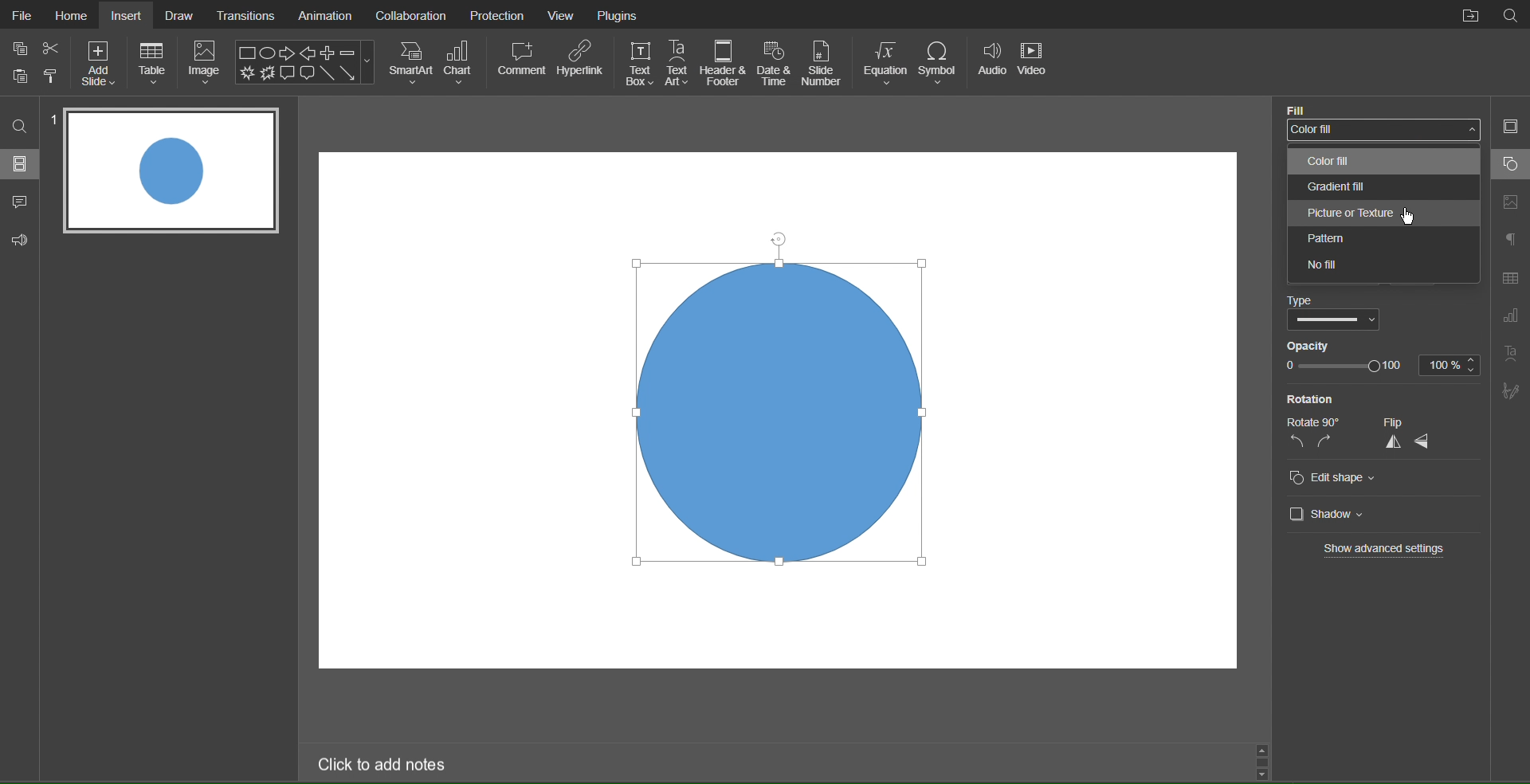 The width and height of the screenshot is (1530, 784). I want to click on Fill, so click(1299, 108).